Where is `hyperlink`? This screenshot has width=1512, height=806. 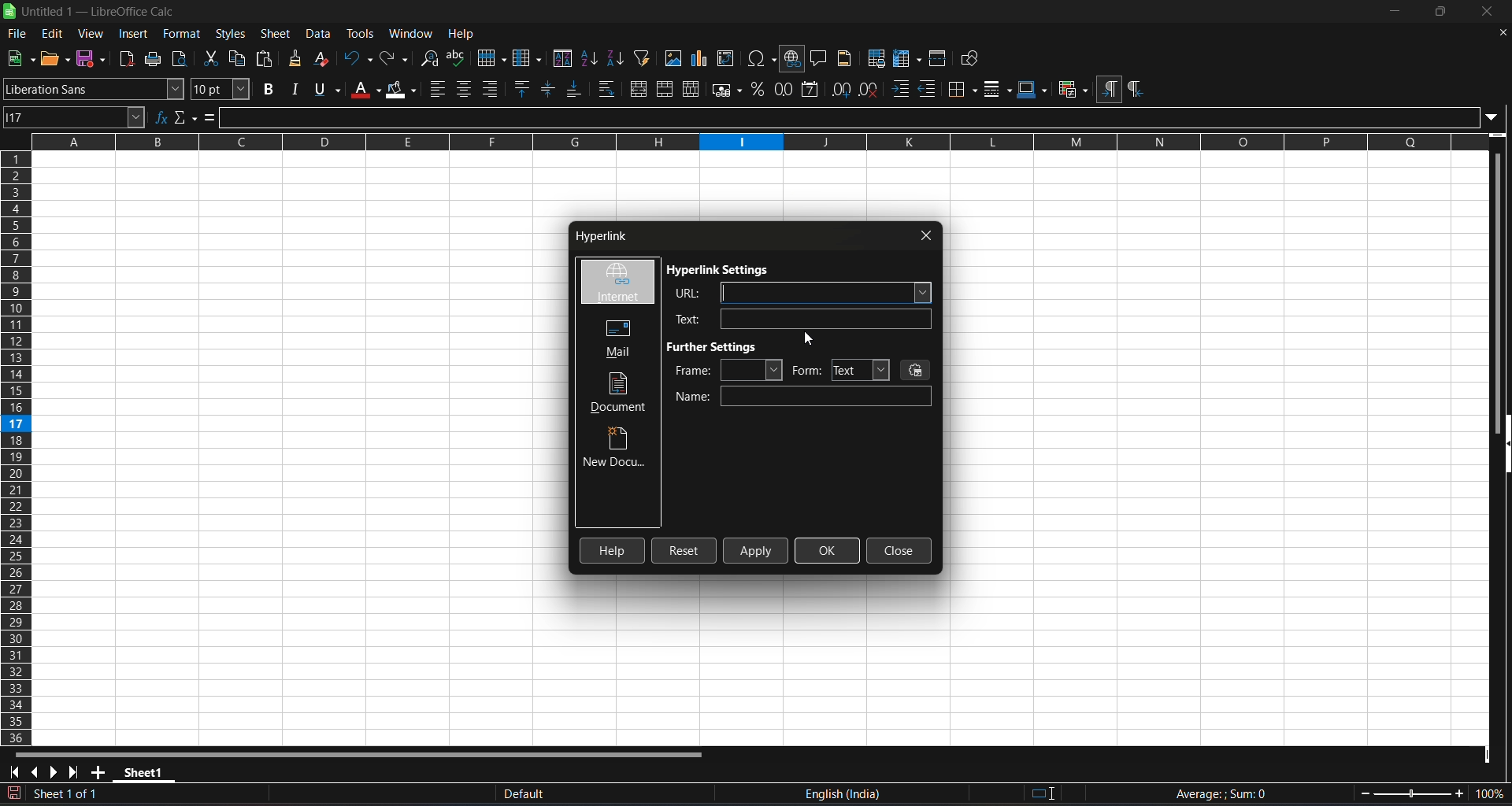
hyperlink is located at coordinates (598, 238).